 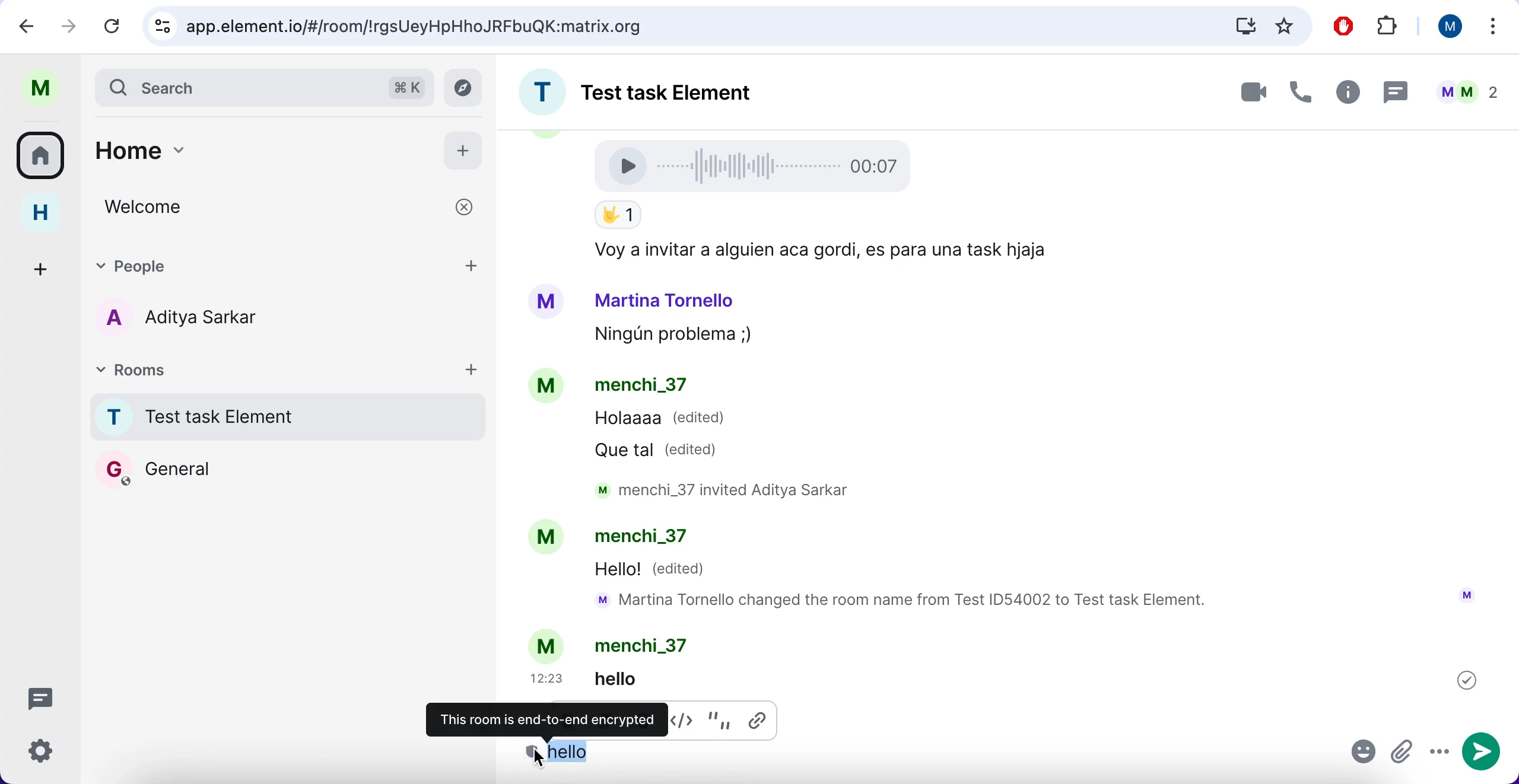 What do you see at coordinates (647, 645) in the screenshot?
I see `menchi_37` at bounding box center [647, 645].